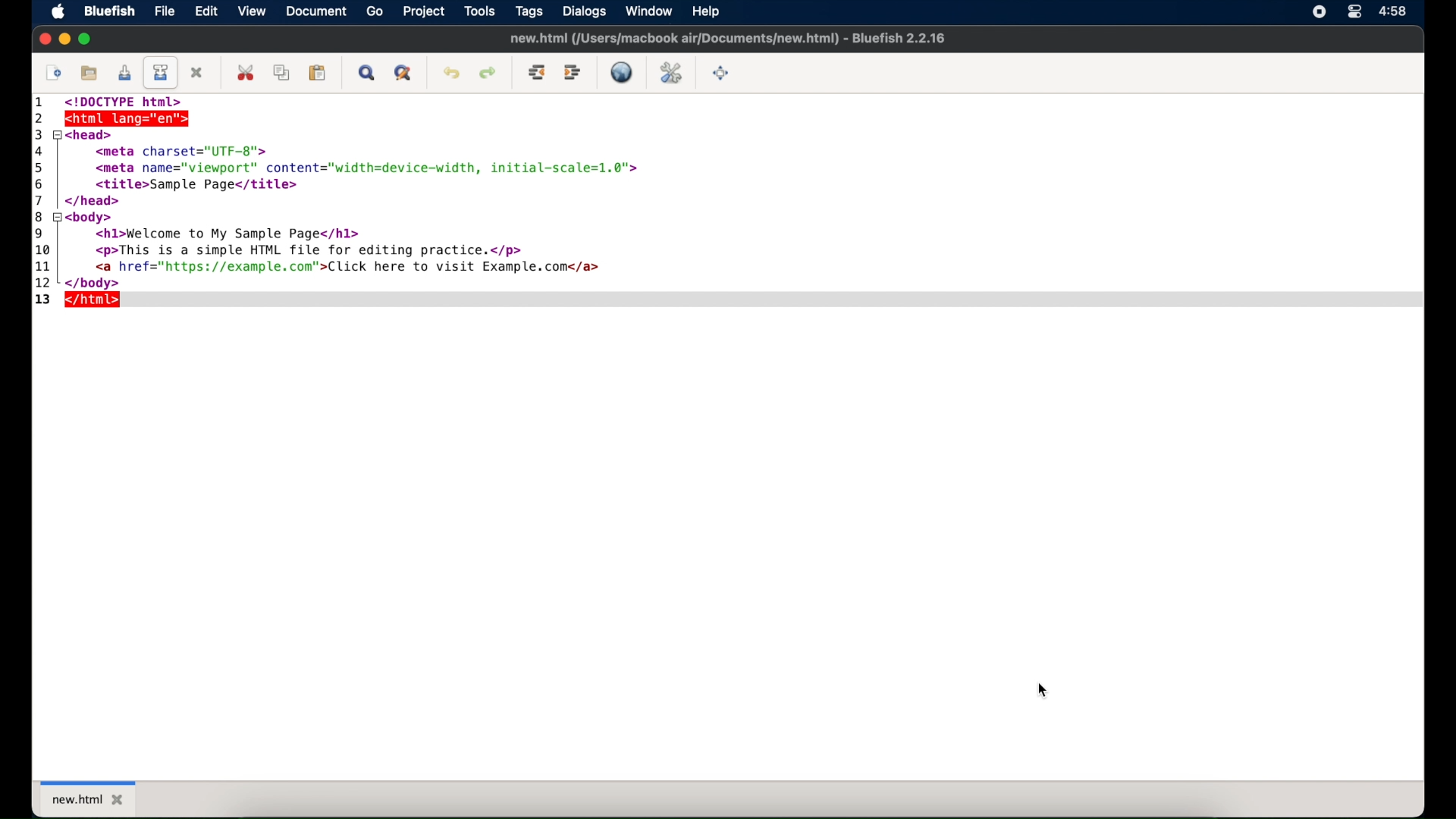 The width and height of the screenshot is (1456, 819). Describe the element at coordinates (207, 11) in the screenshot. I see `edit` at that location.